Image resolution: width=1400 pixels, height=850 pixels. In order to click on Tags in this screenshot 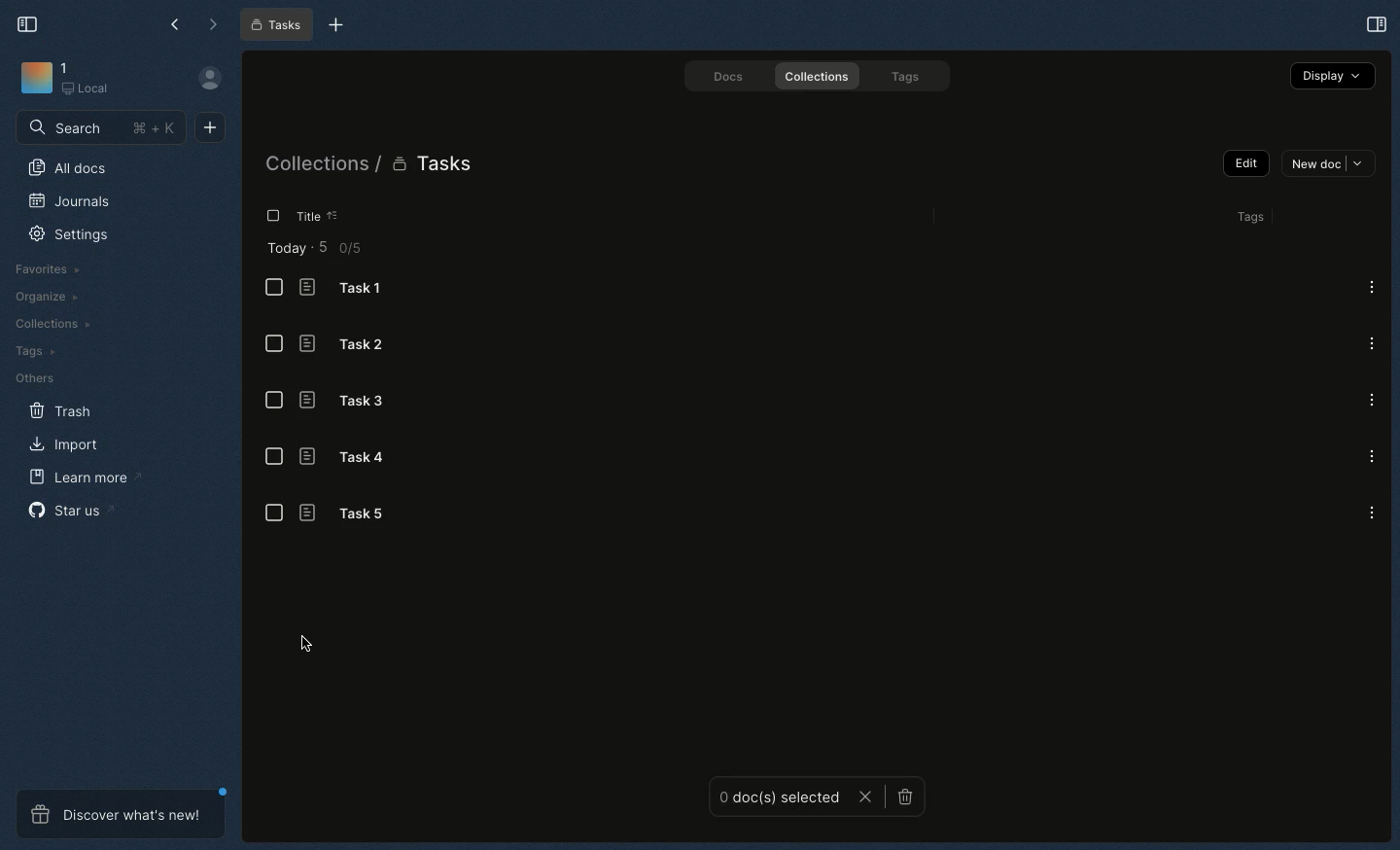, I will do `click(1253, 220)`.